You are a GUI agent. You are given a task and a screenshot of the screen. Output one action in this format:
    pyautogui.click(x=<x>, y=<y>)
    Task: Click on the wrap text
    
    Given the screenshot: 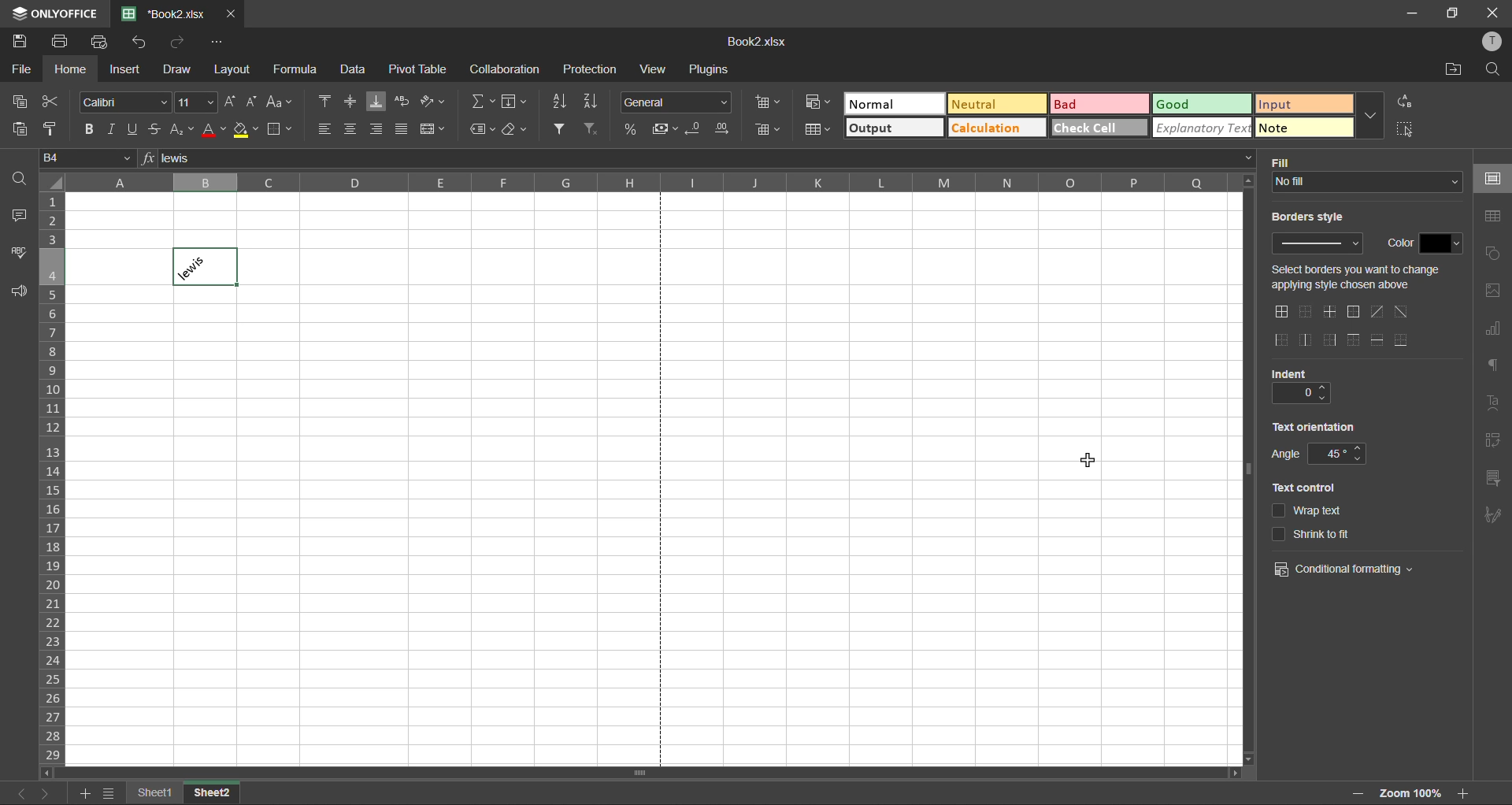 What is the action you would take?
    pyautogui.click(x=1310, y=510)
    